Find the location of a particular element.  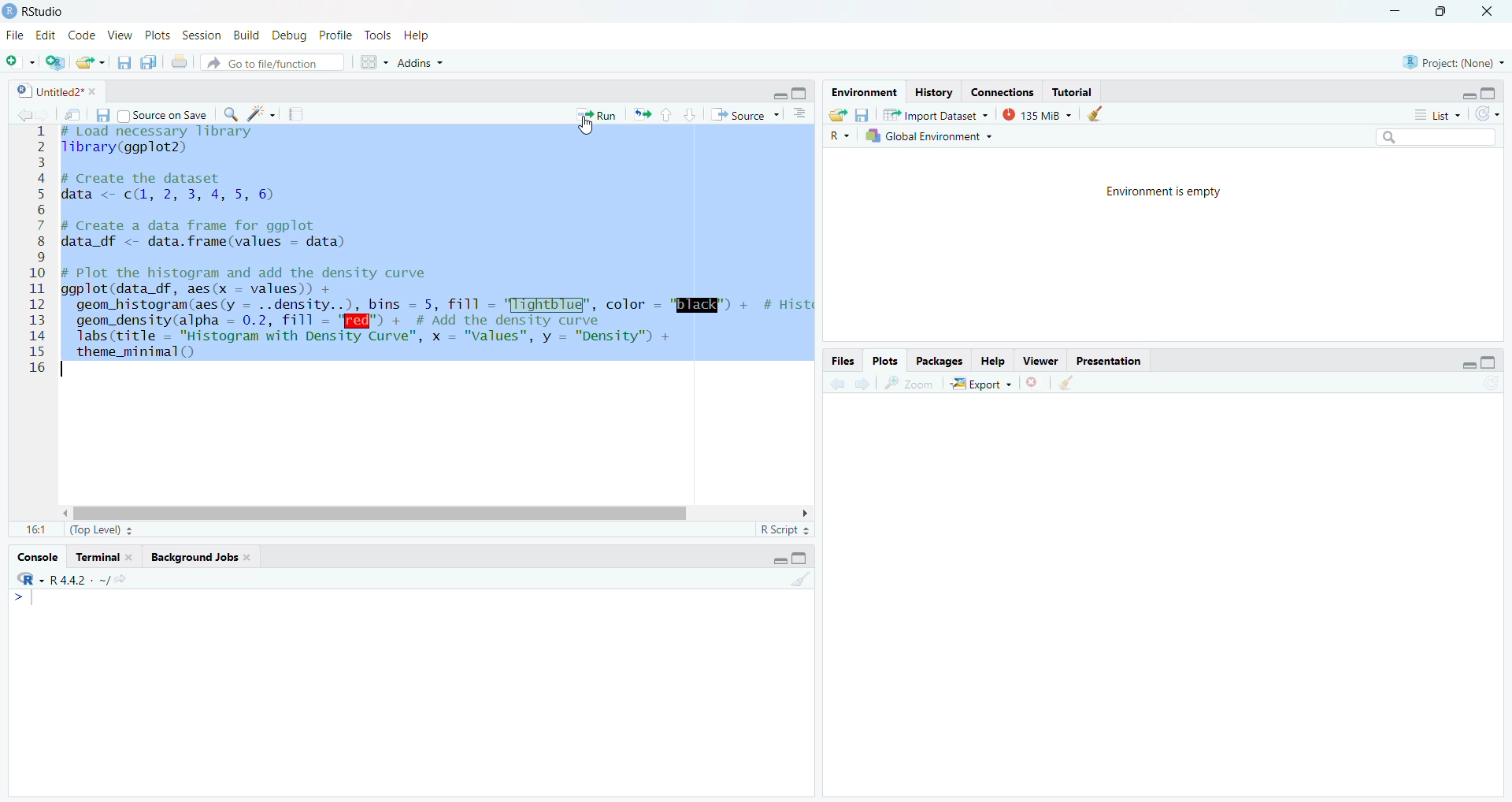

maximize is located at coordinates (1490, 92).